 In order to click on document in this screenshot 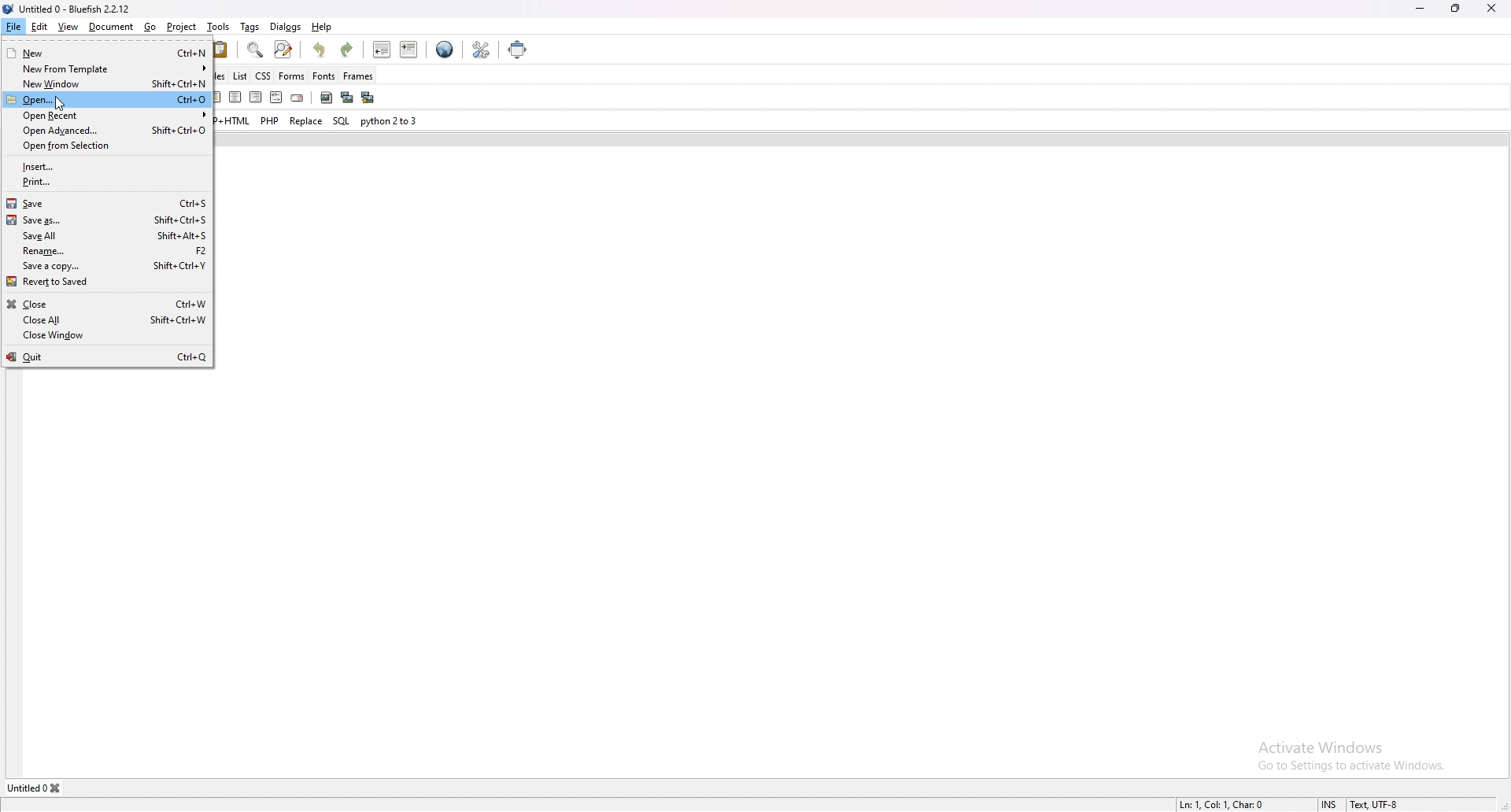, I will do `click(112, 27)`.